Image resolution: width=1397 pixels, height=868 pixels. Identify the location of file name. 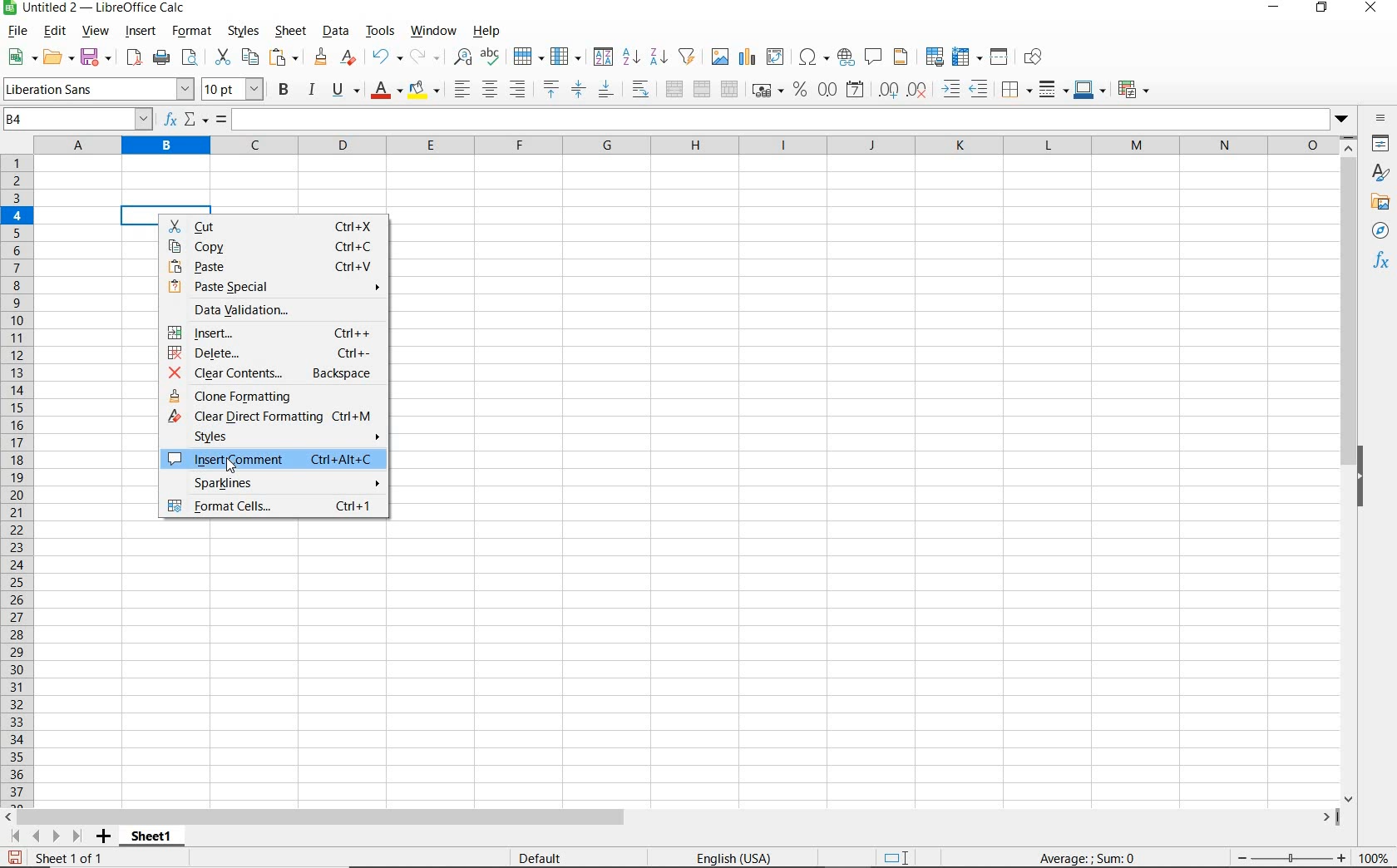
(100, 9).